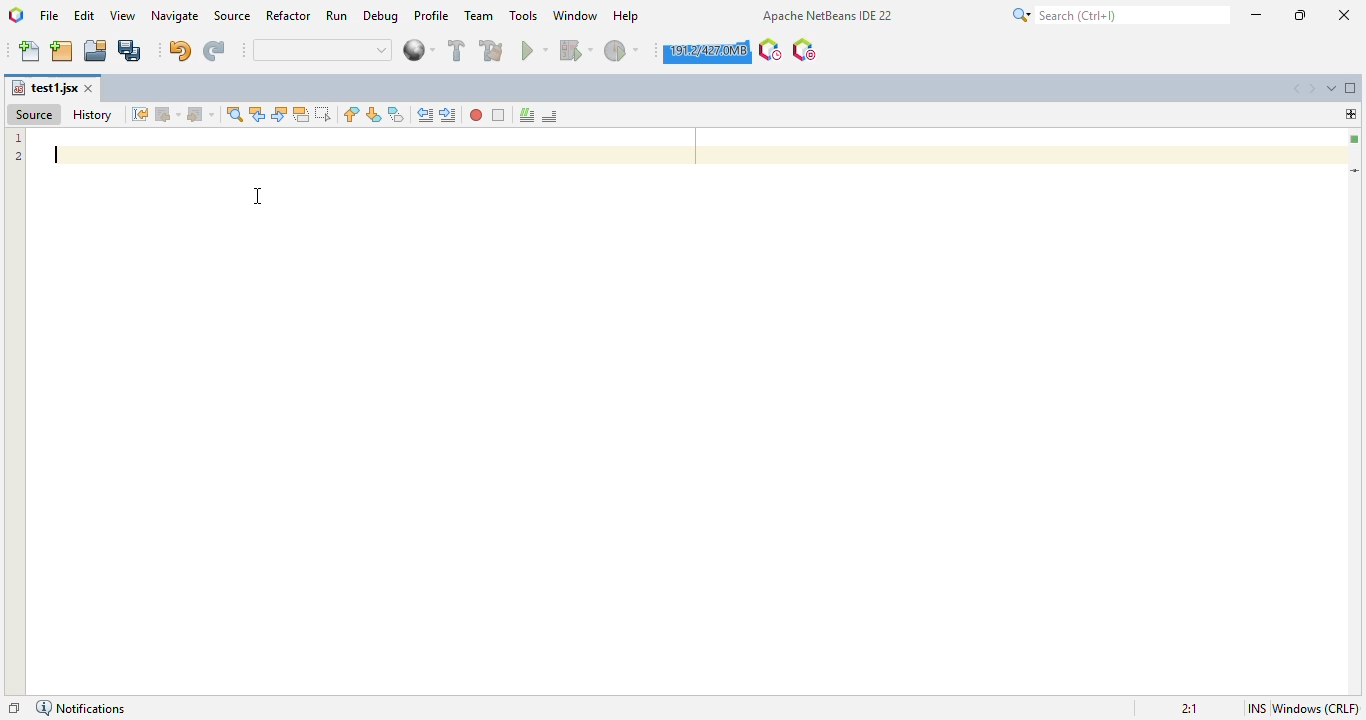 This screenshot has height=720, width=1366. I want to click on shift line right, so click(448, 115).